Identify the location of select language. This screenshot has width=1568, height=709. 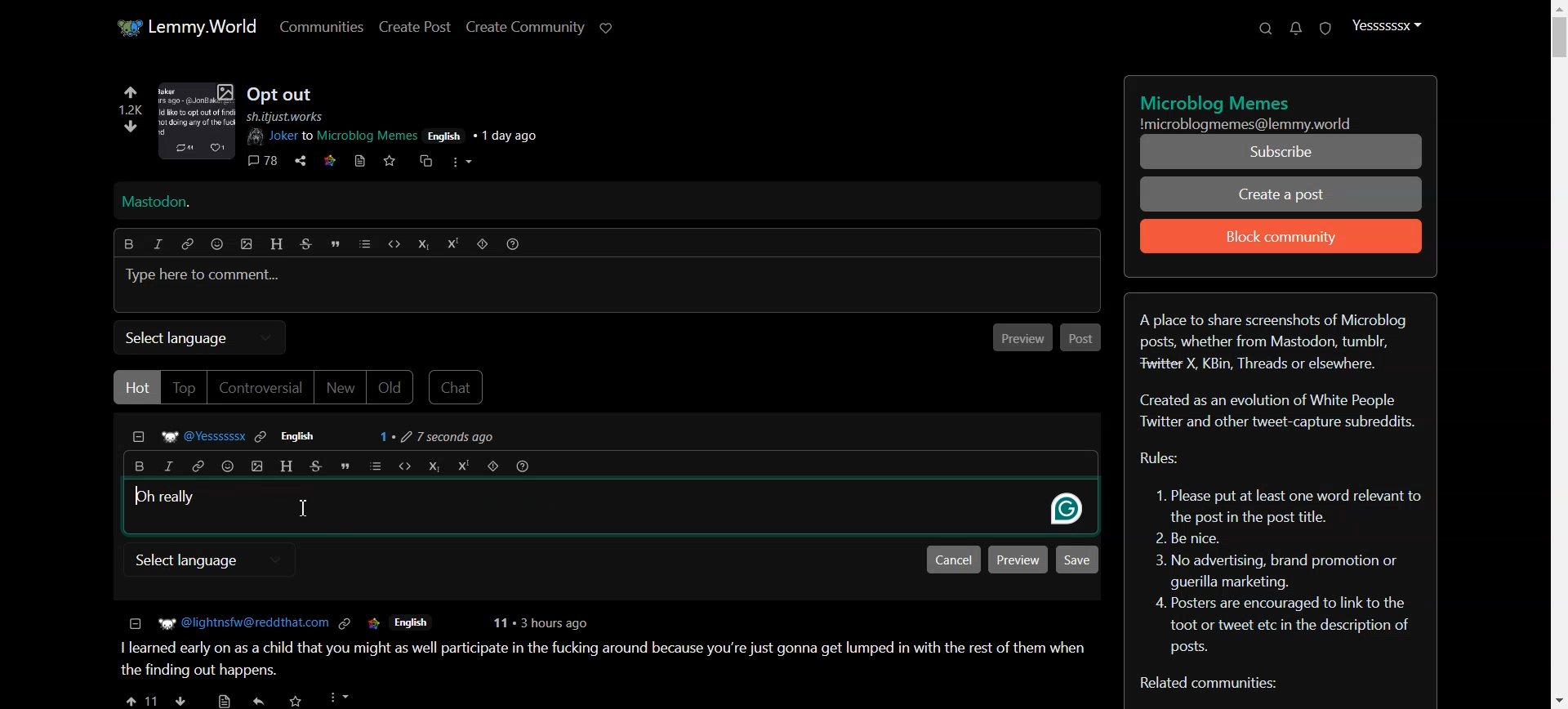
(203, 561).